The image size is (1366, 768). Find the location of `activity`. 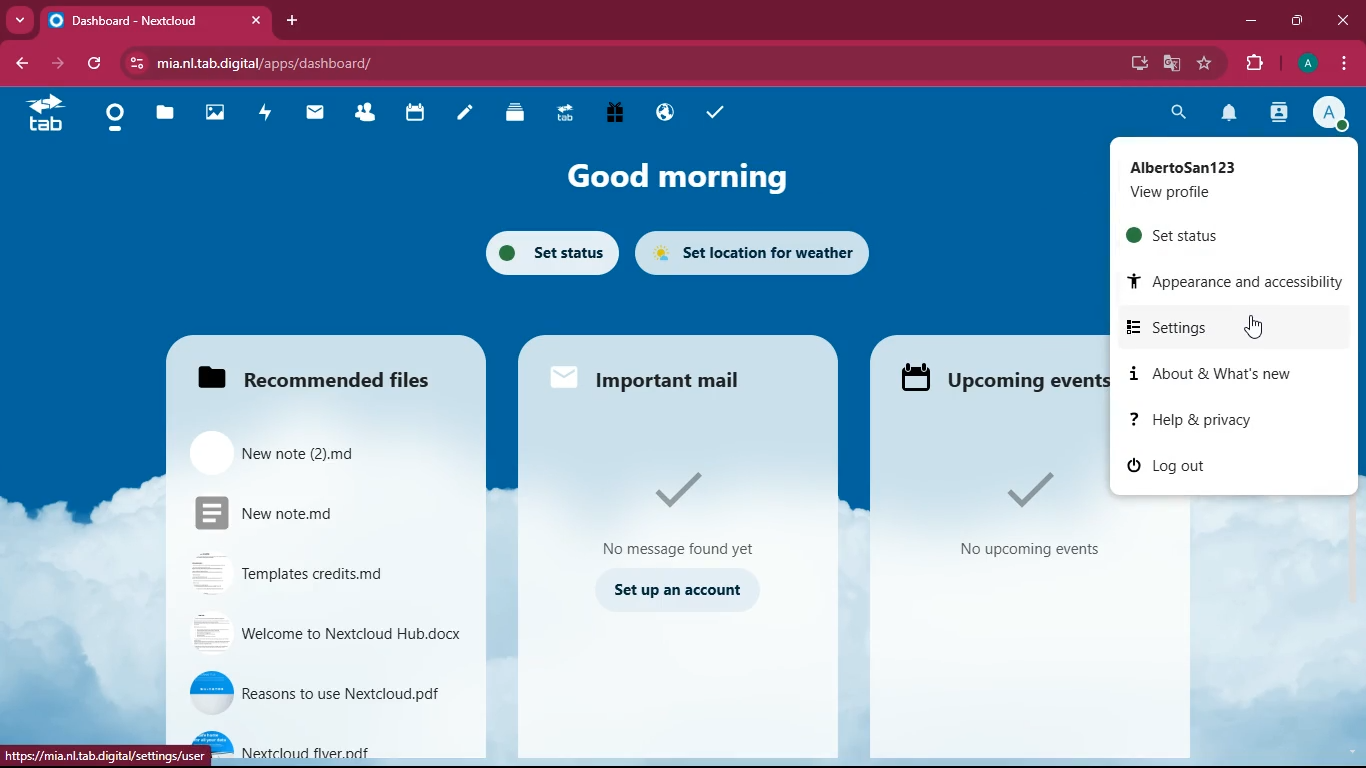

activity is located at coordinates (1280, 114).